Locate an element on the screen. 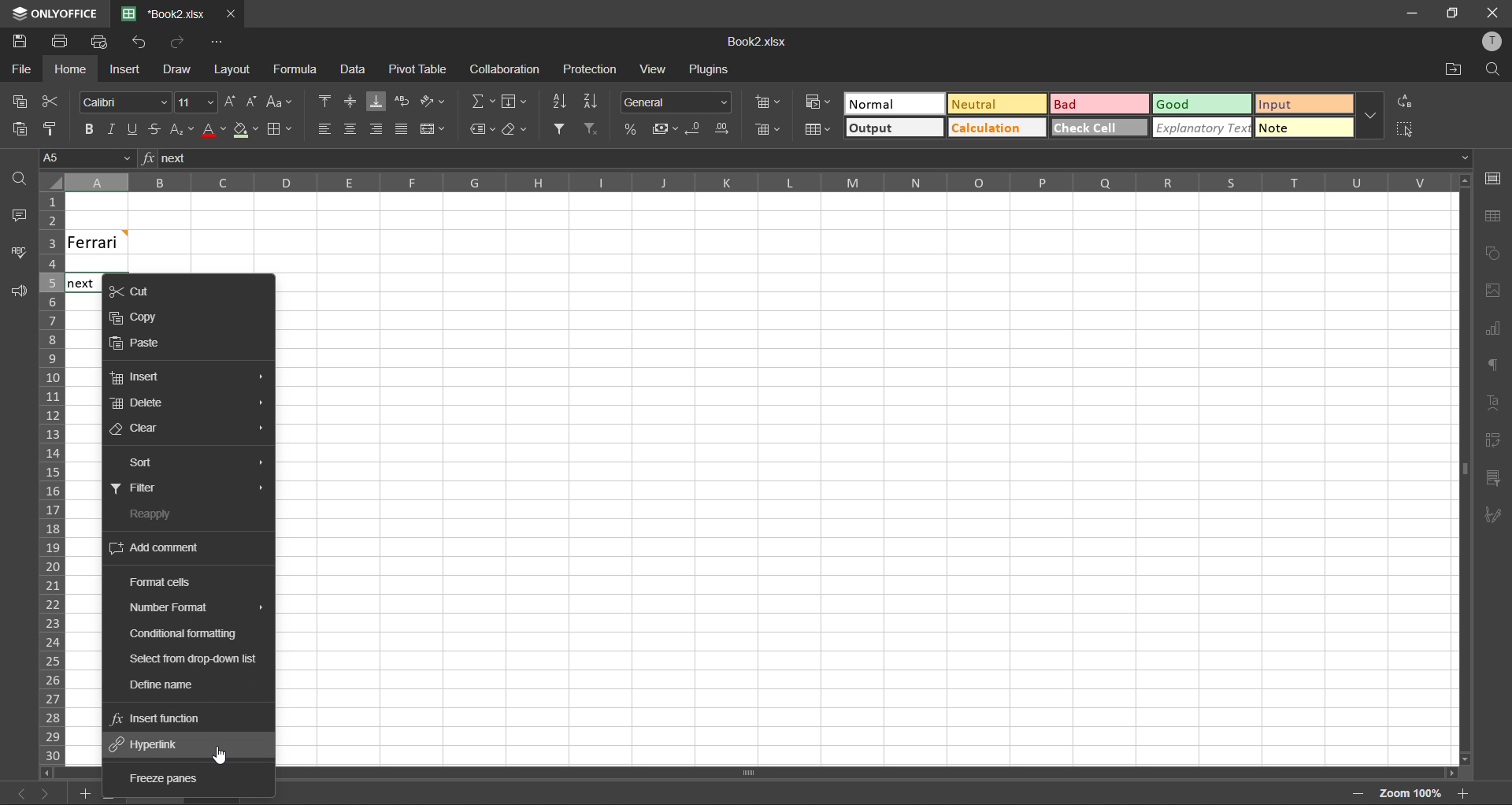 The image size is (1512, 805). clear is located at coordinates (517, 132).